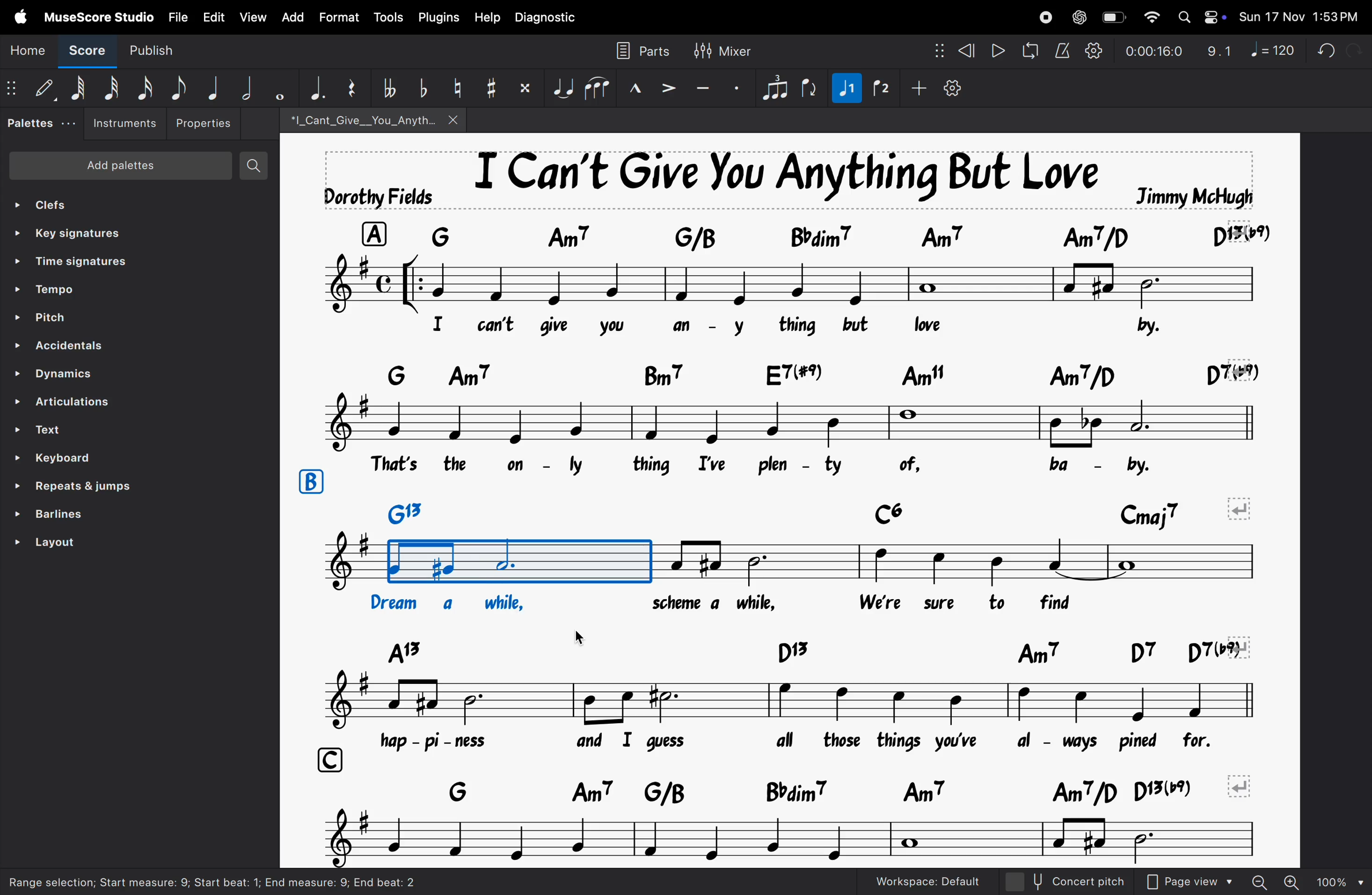  Describe the element at coordinates (1116, 17) in the screenshot. I see `battery` at that location.